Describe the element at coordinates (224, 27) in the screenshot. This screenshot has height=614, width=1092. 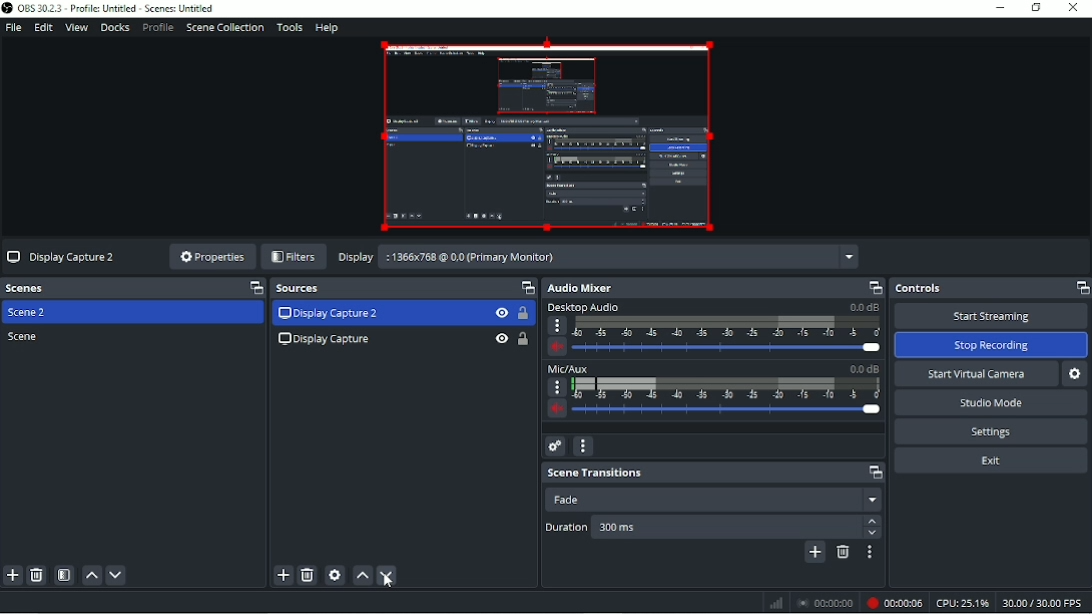
I see `Scene collection` at that location.